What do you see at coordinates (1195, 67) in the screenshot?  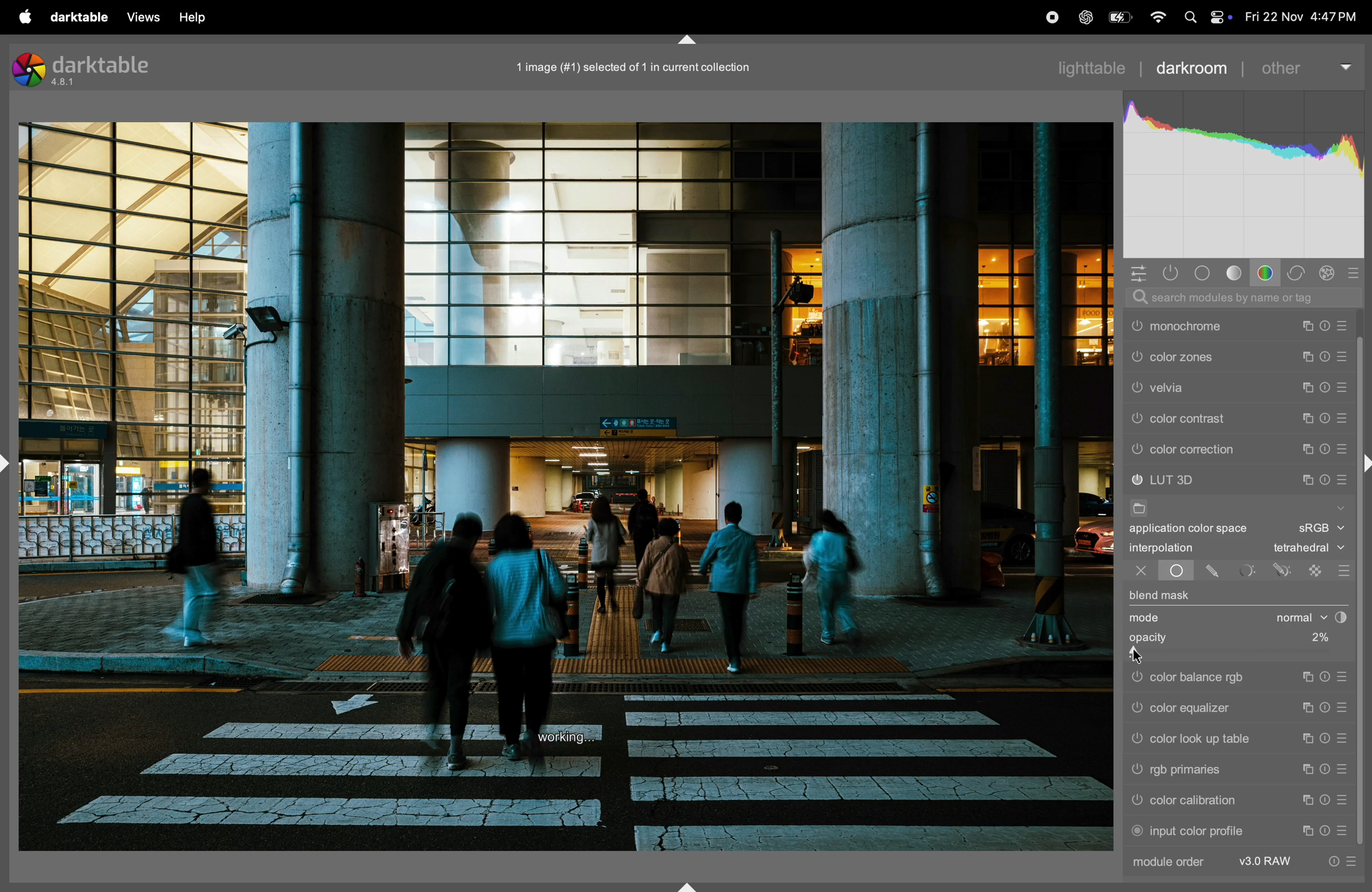 I see `dark room` at bounding box center [1195, 67].